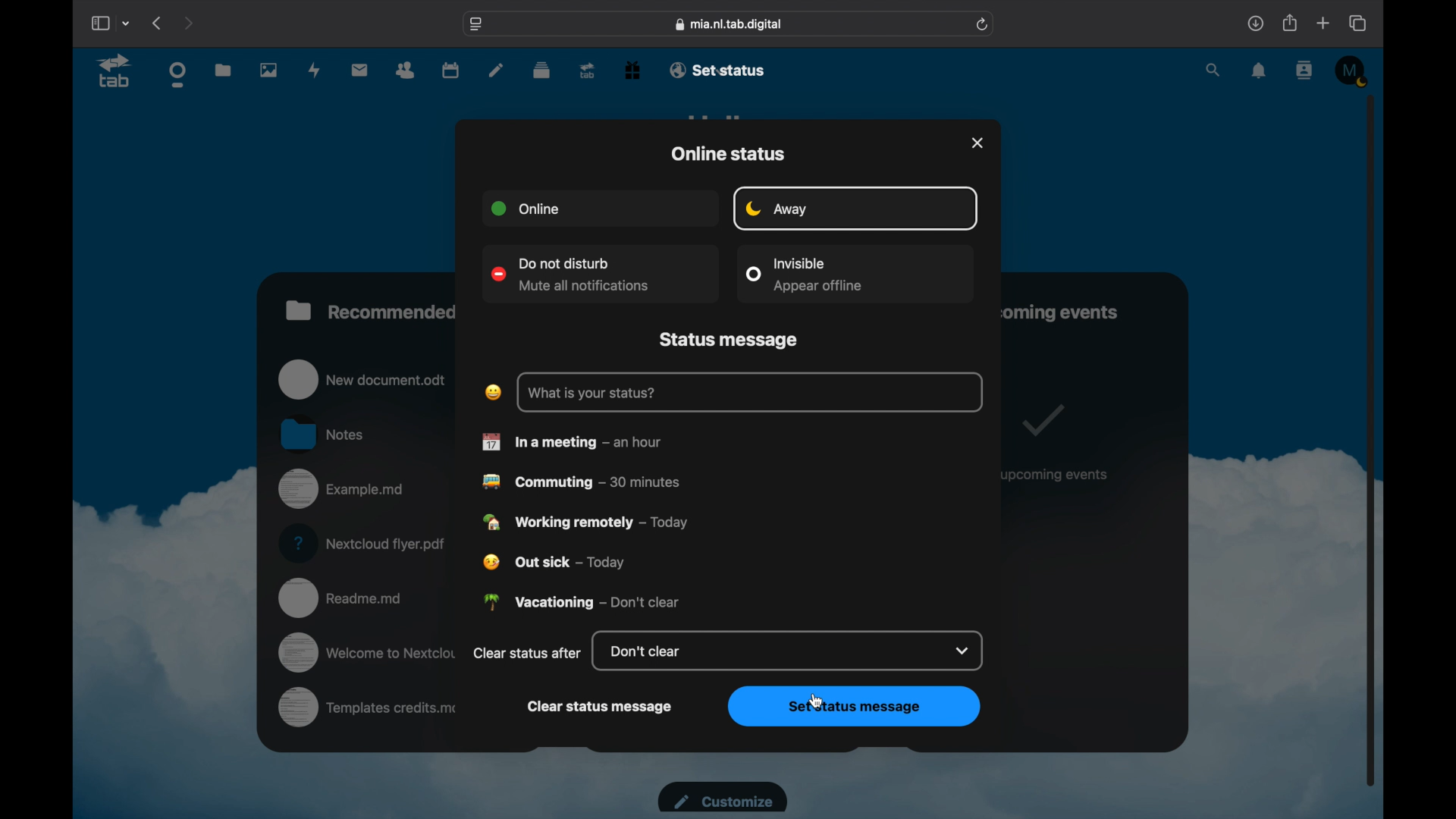 The width and height of the screenshot is (1456, 819). Describe the element at coordinates (268, 70) in the screenshot. I see `photos` at that location.